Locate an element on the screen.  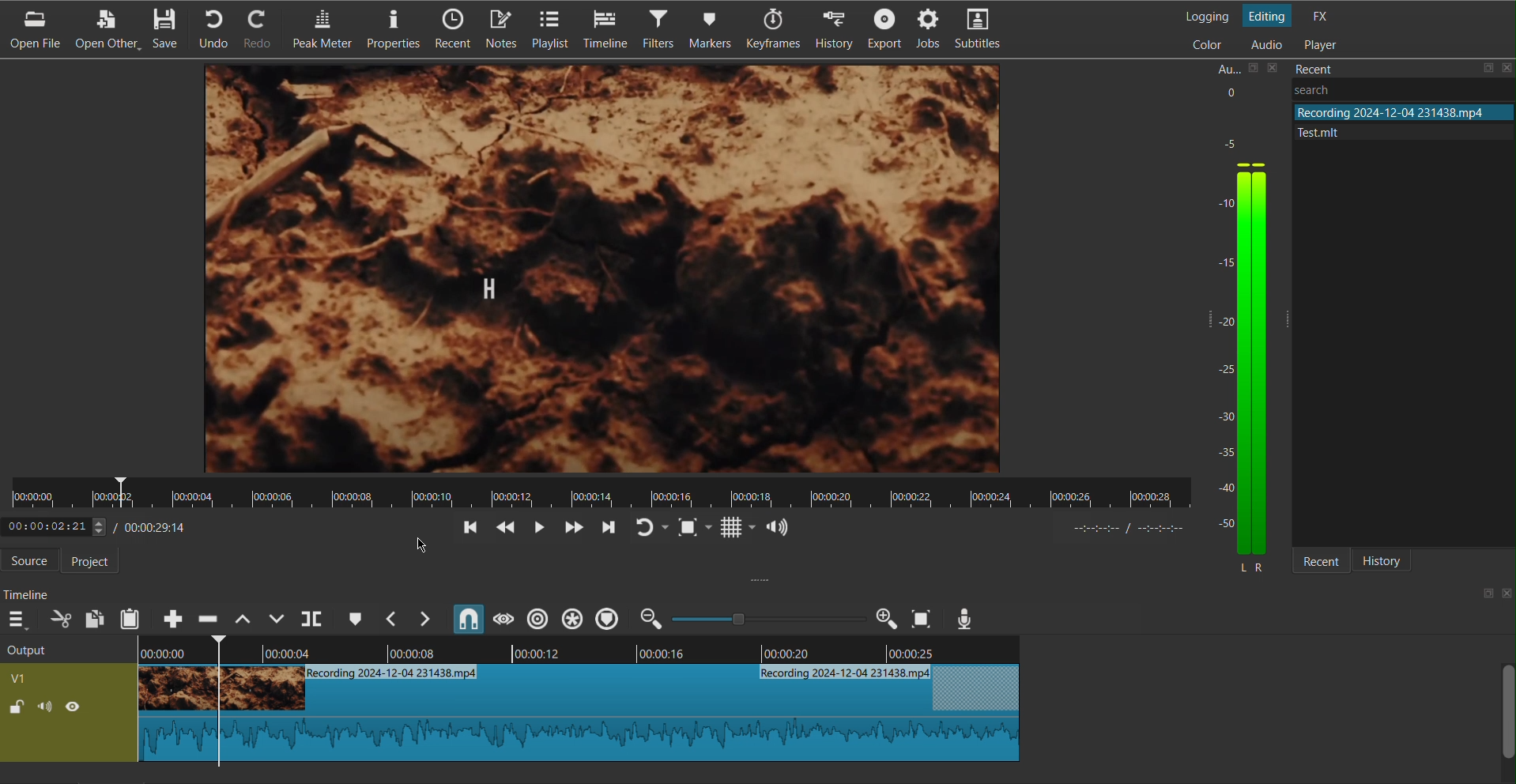
Timestamp is located at coordinates (151, 528).